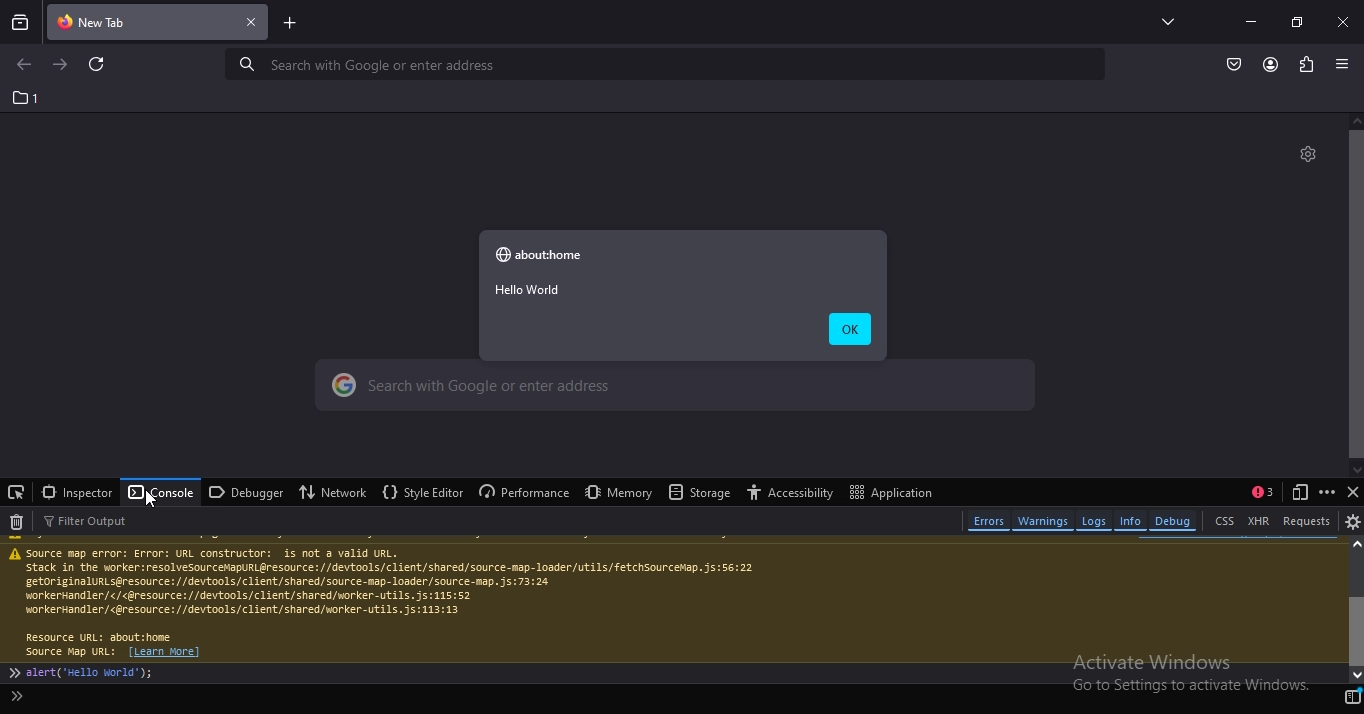 This screenshot has width=1364, height=714. What do you see at coordinates (1176, 520) in the screenshot?
I see `debug` at bounding box center [1176, 520].